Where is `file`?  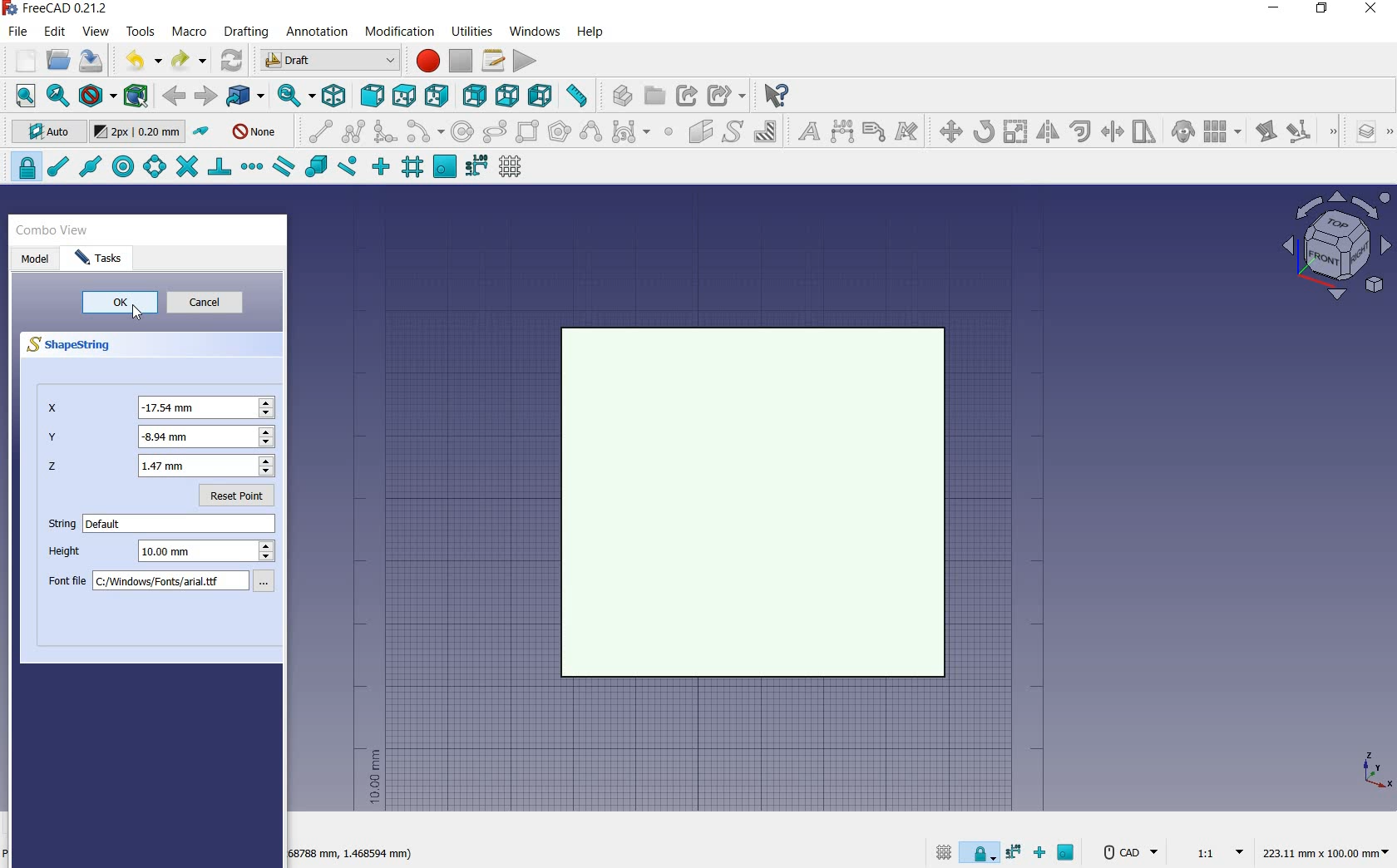
file is located at coordinates (20, 33).